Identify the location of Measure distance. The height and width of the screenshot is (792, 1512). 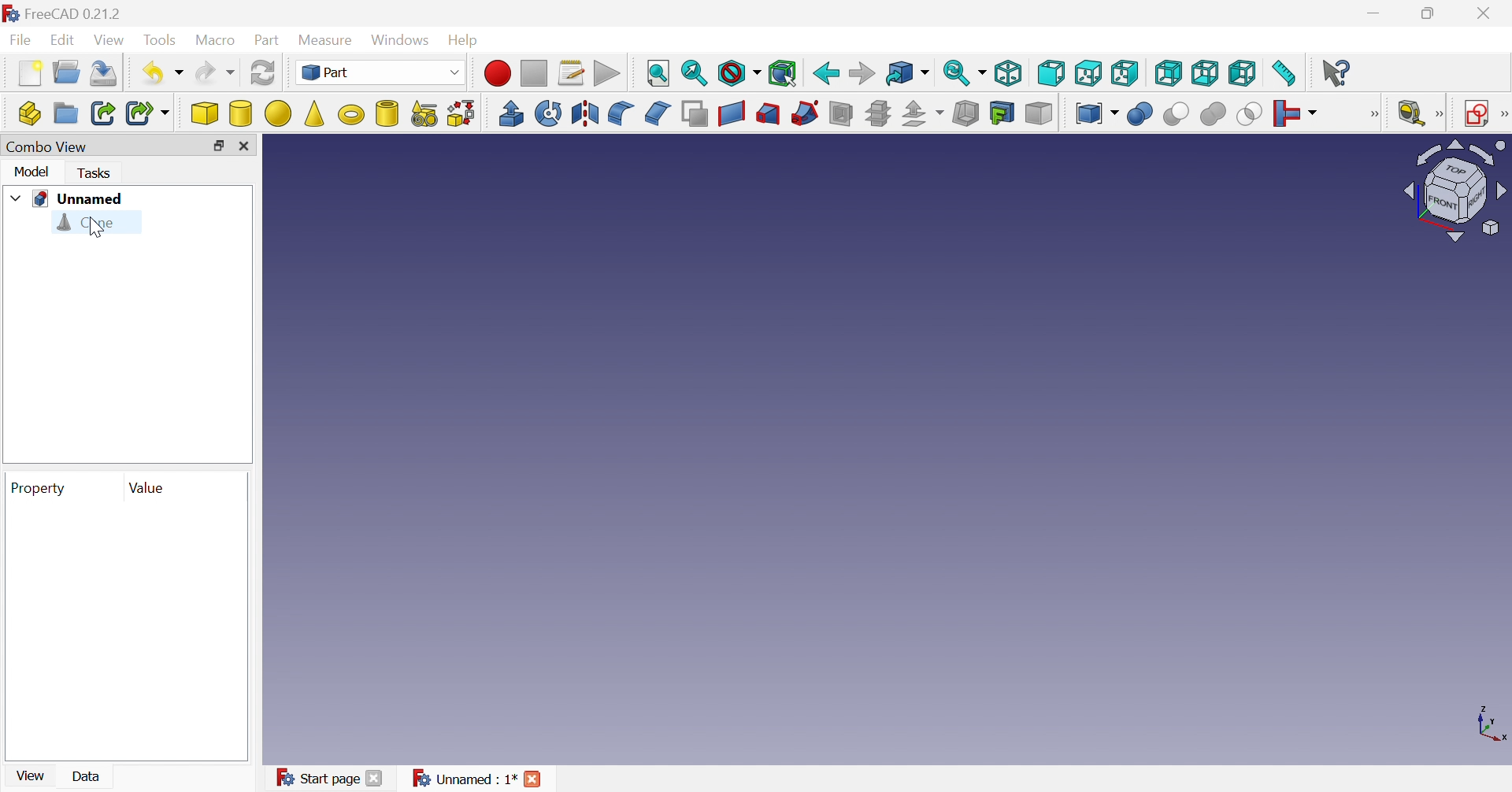
(1286, 74).